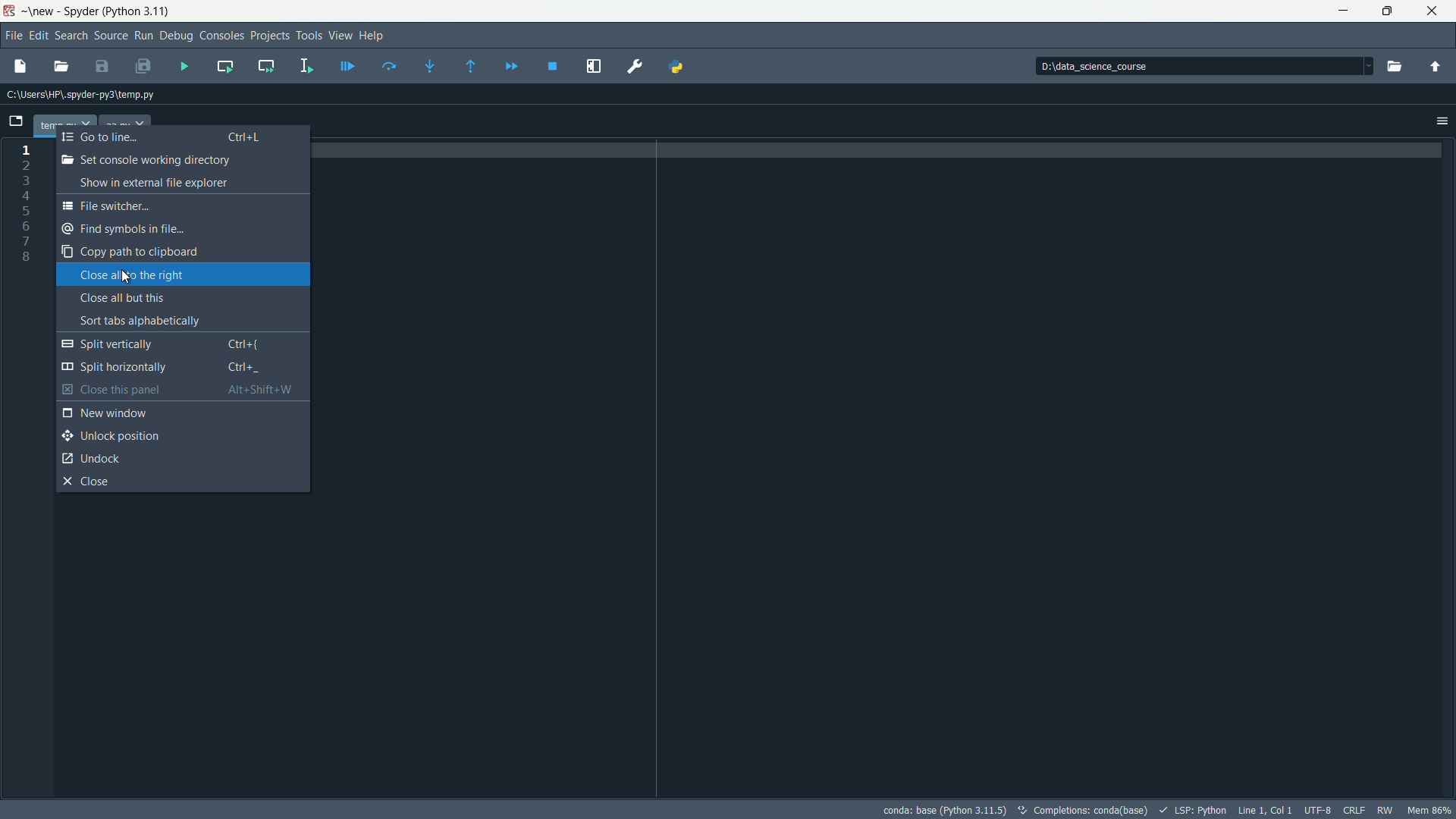  I want to click on split vertically, so click(184, 344).